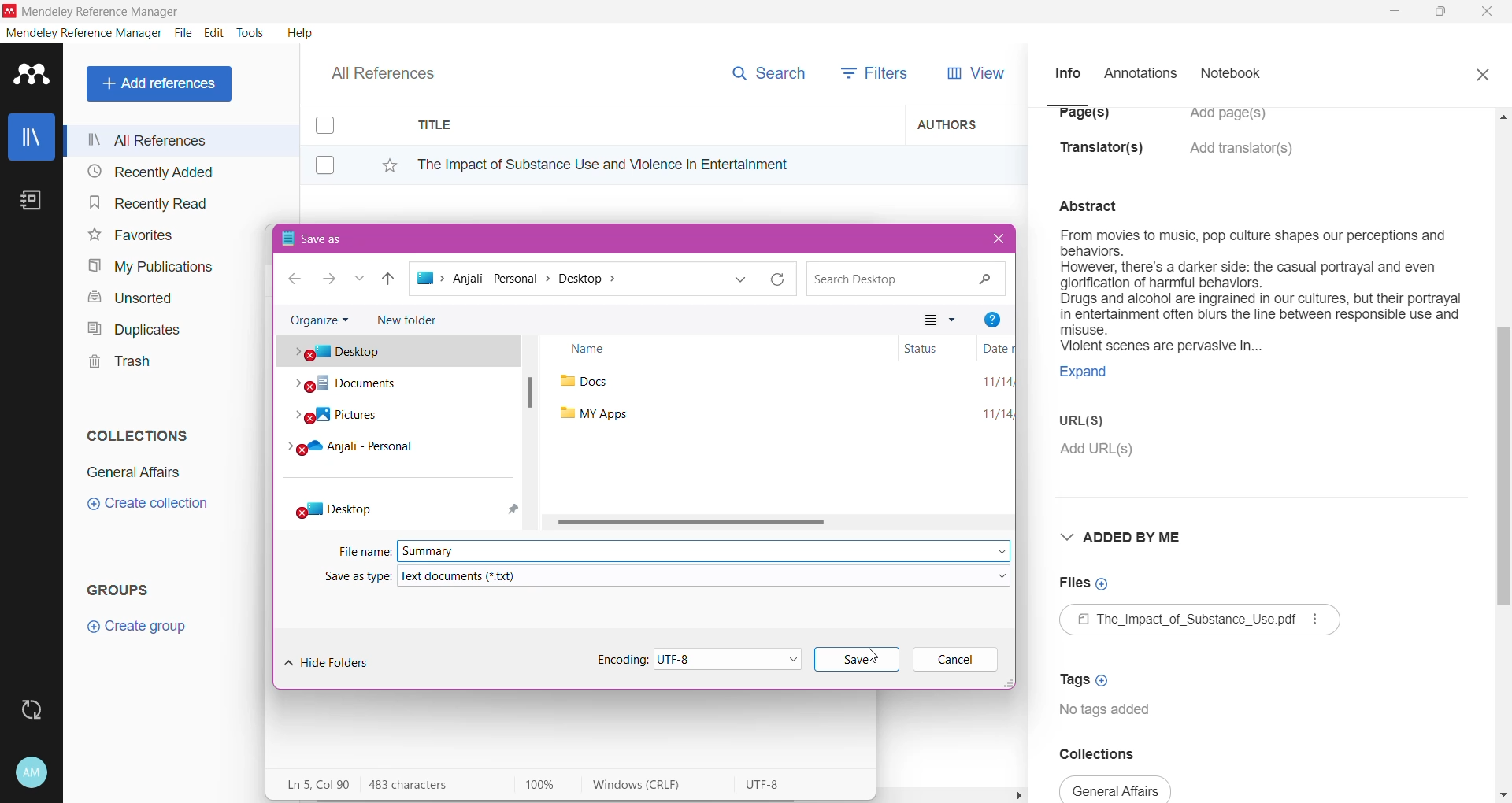 The width and height of the screenshot is (1512, 803). What do you see at coordinates (289, 279) in the screenshot?
I see `Go one step back` at bounding box center [289, 279].